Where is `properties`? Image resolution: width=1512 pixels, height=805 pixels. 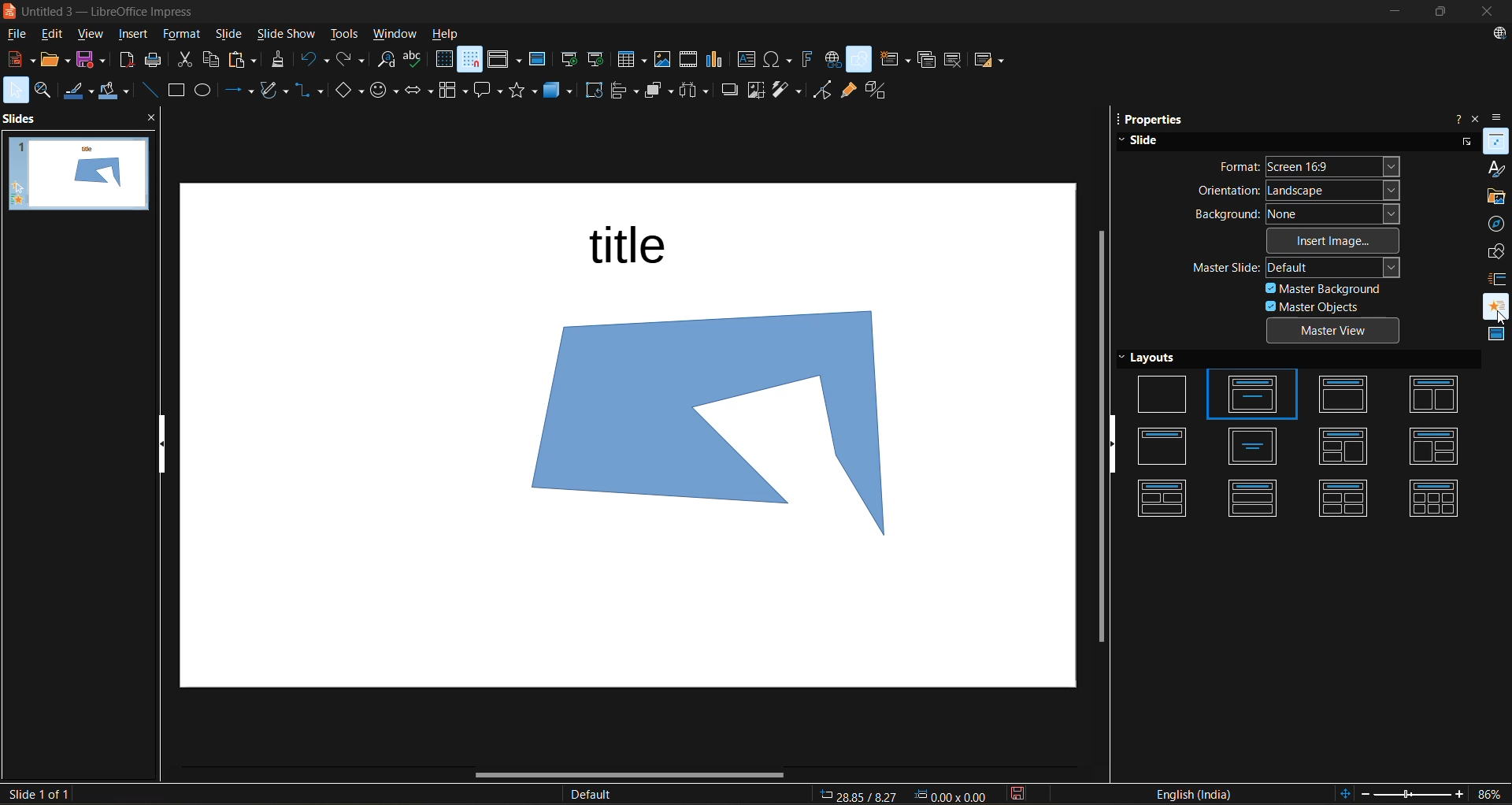 properties is located at coordinates (1495, 140).